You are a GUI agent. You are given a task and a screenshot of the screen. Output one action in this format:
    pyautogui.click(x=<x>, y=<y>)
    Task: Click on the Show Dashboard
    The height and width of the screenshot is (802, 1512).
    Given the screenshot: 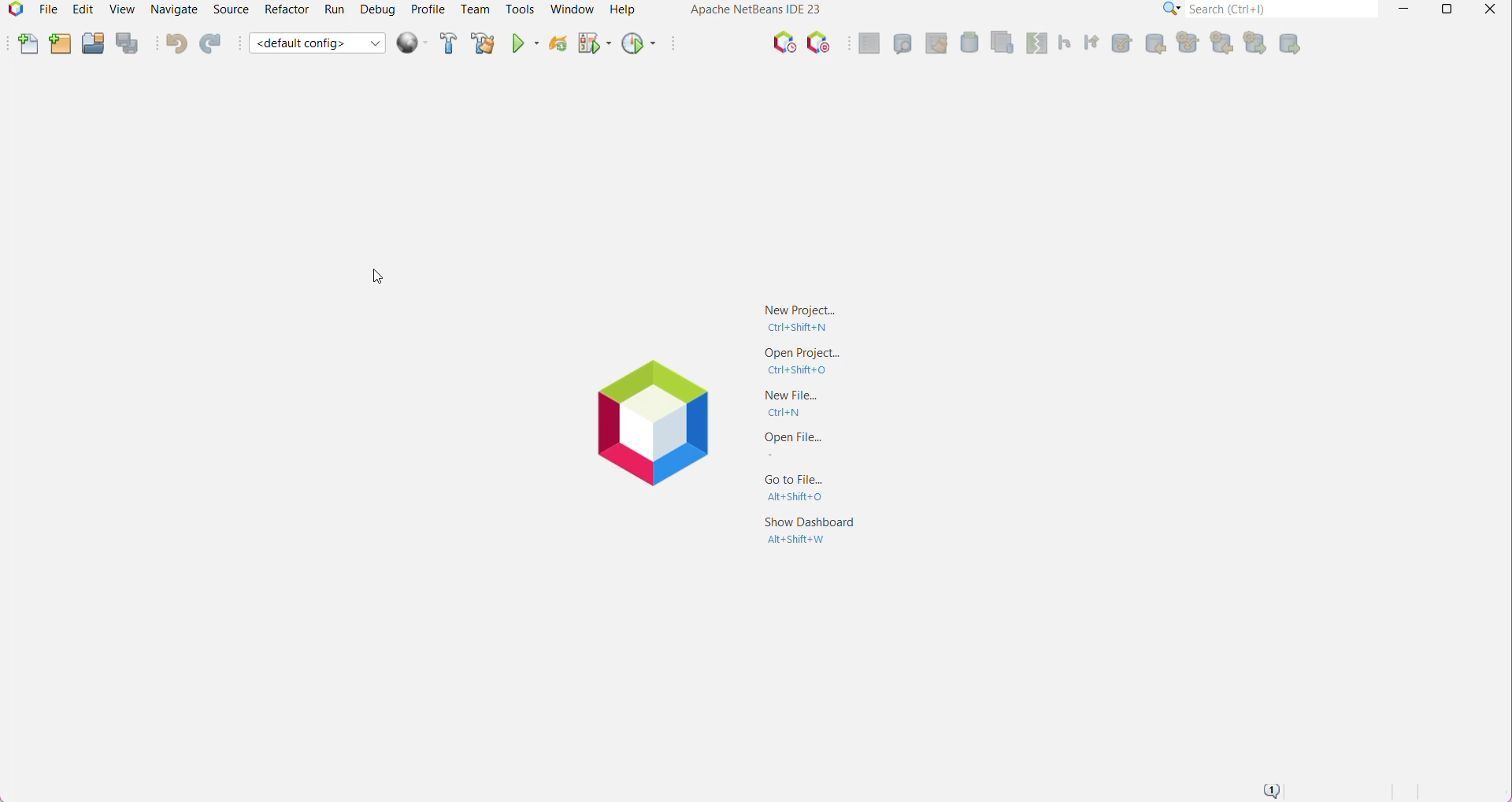 What is the action you would take?
    pyautogui.click(x=810, y=537)
    